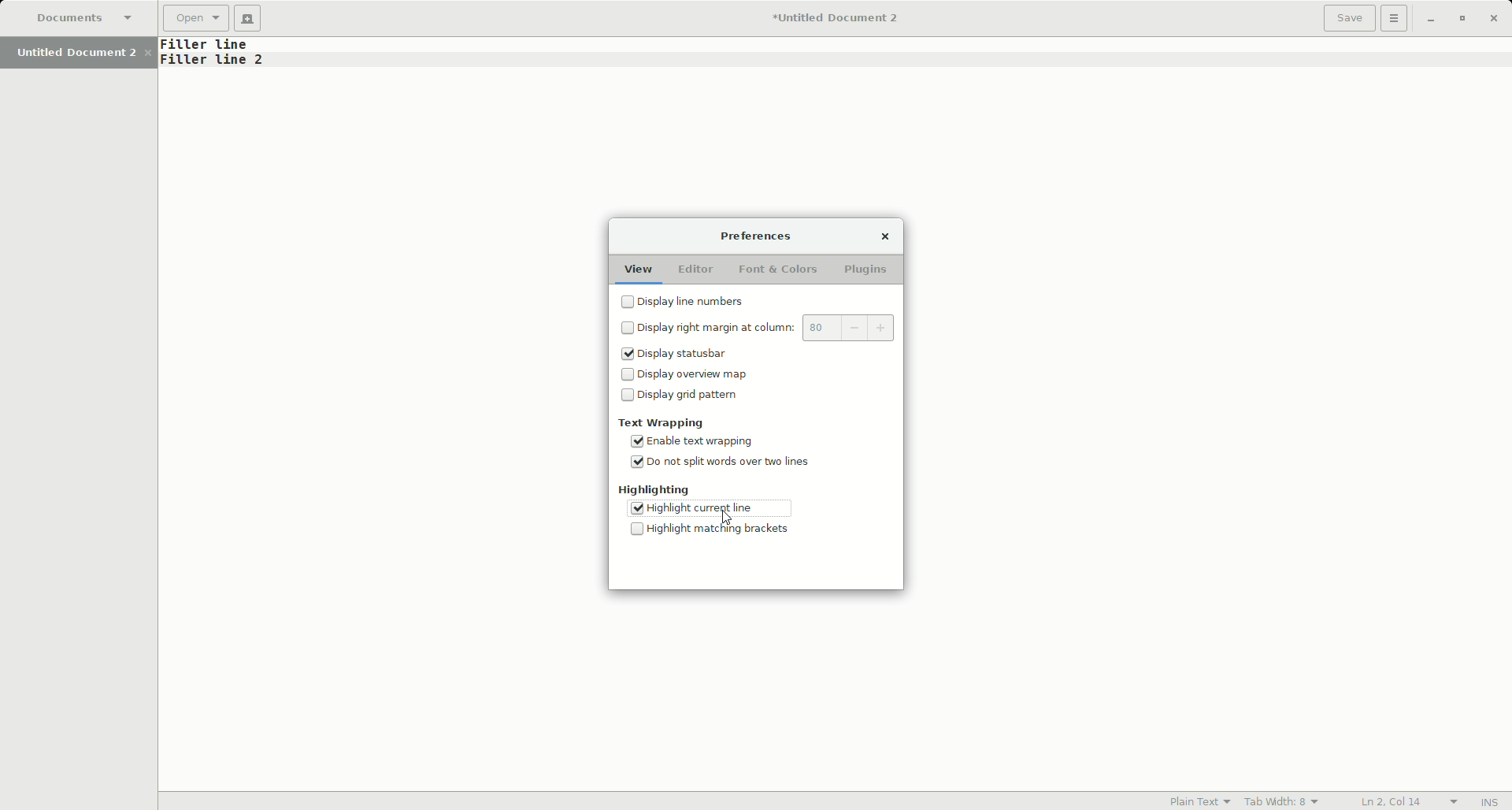 Image resolution: width=1512 pixels, height=810 pixels. Describe the element at coordinates (663, 422) in the screenshot. I see `Text Wrapping` at that location.